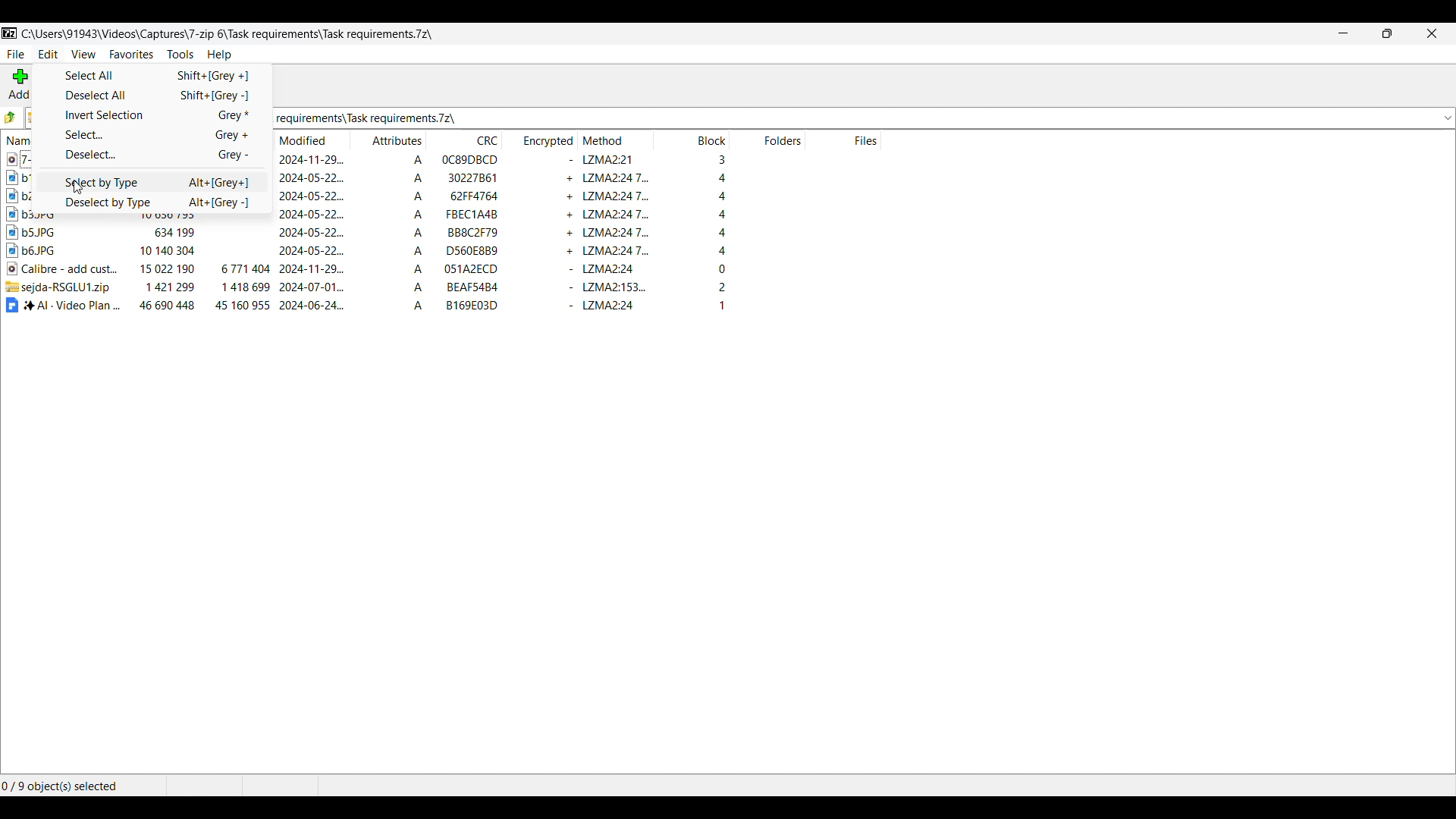  Describe the element at coordinates (1388, 33) in the screenshot. I see `Show interface in a smaller tab` at that location.